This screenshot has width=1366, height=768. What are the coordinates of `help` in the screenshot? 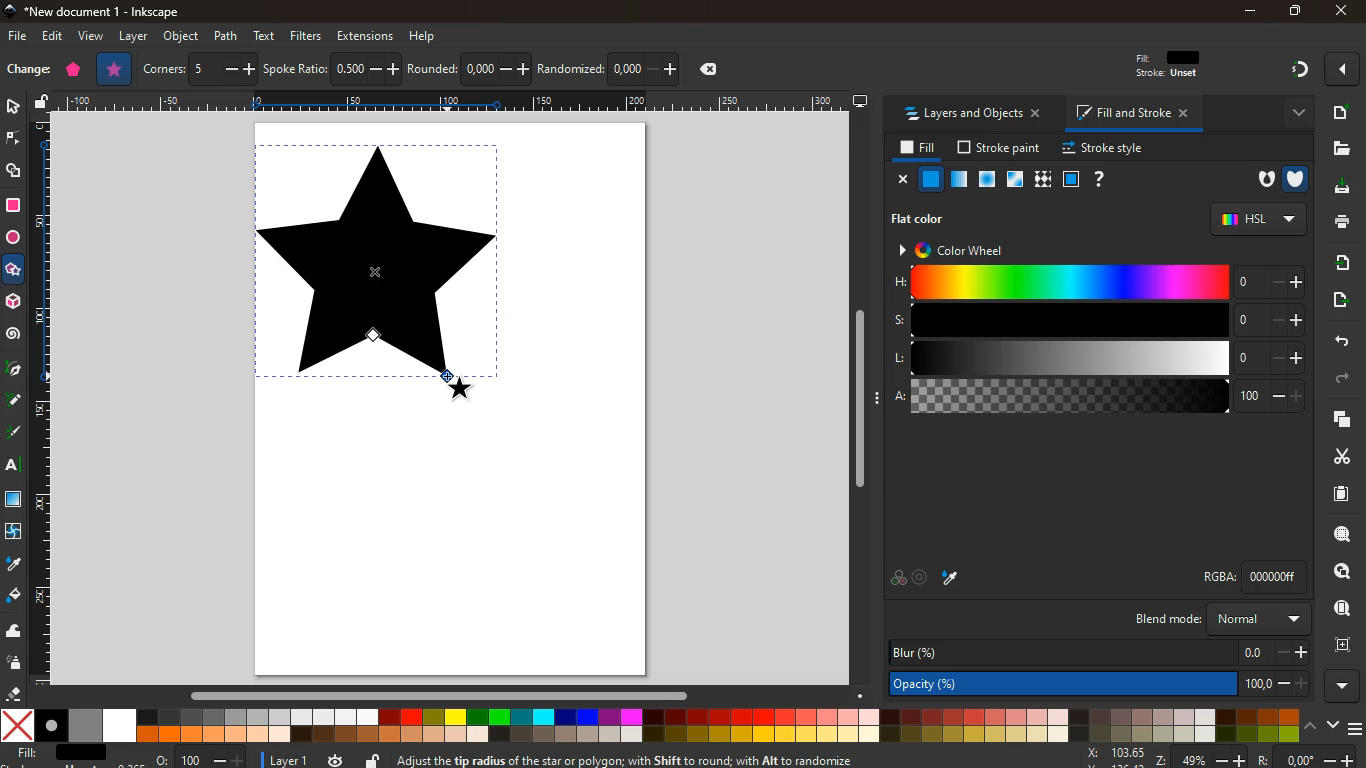 It's located at (424, 38).